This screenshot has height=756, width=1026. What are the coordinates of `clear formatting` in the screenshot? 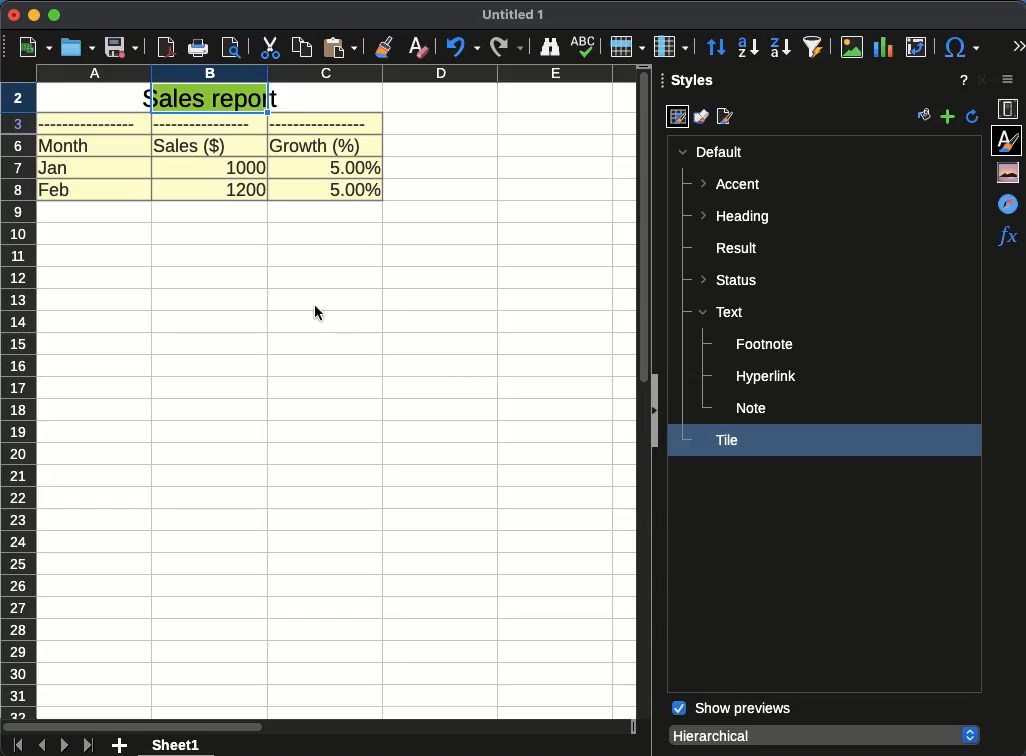 It's located at (419, 47).